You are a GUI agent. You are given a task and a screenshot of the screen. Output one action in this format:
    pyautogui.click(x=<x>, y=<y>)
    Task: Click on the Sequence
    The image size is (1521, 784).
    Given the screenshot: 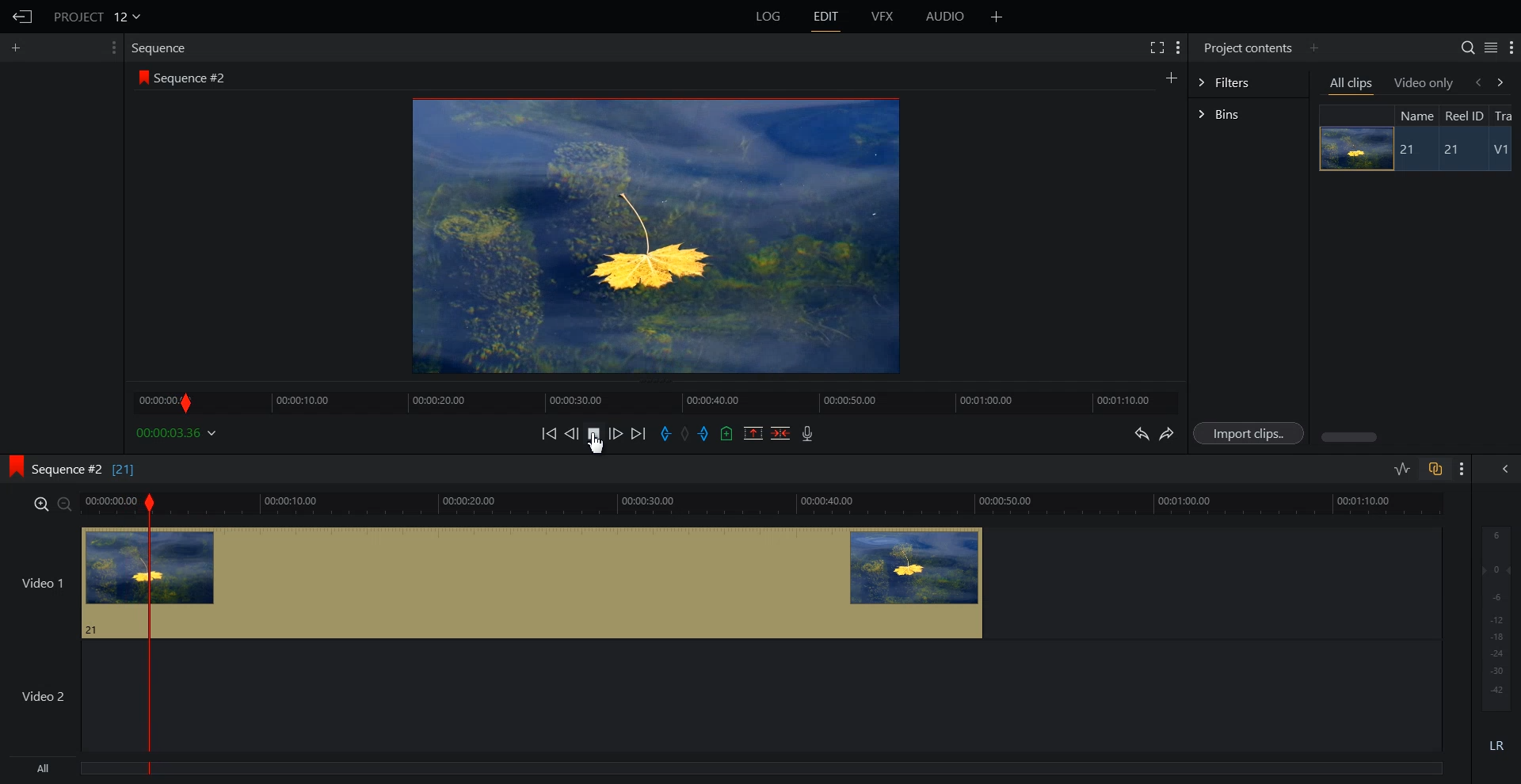 What is the action you would take?
    pyautogui.click(x=162, y=48)
    